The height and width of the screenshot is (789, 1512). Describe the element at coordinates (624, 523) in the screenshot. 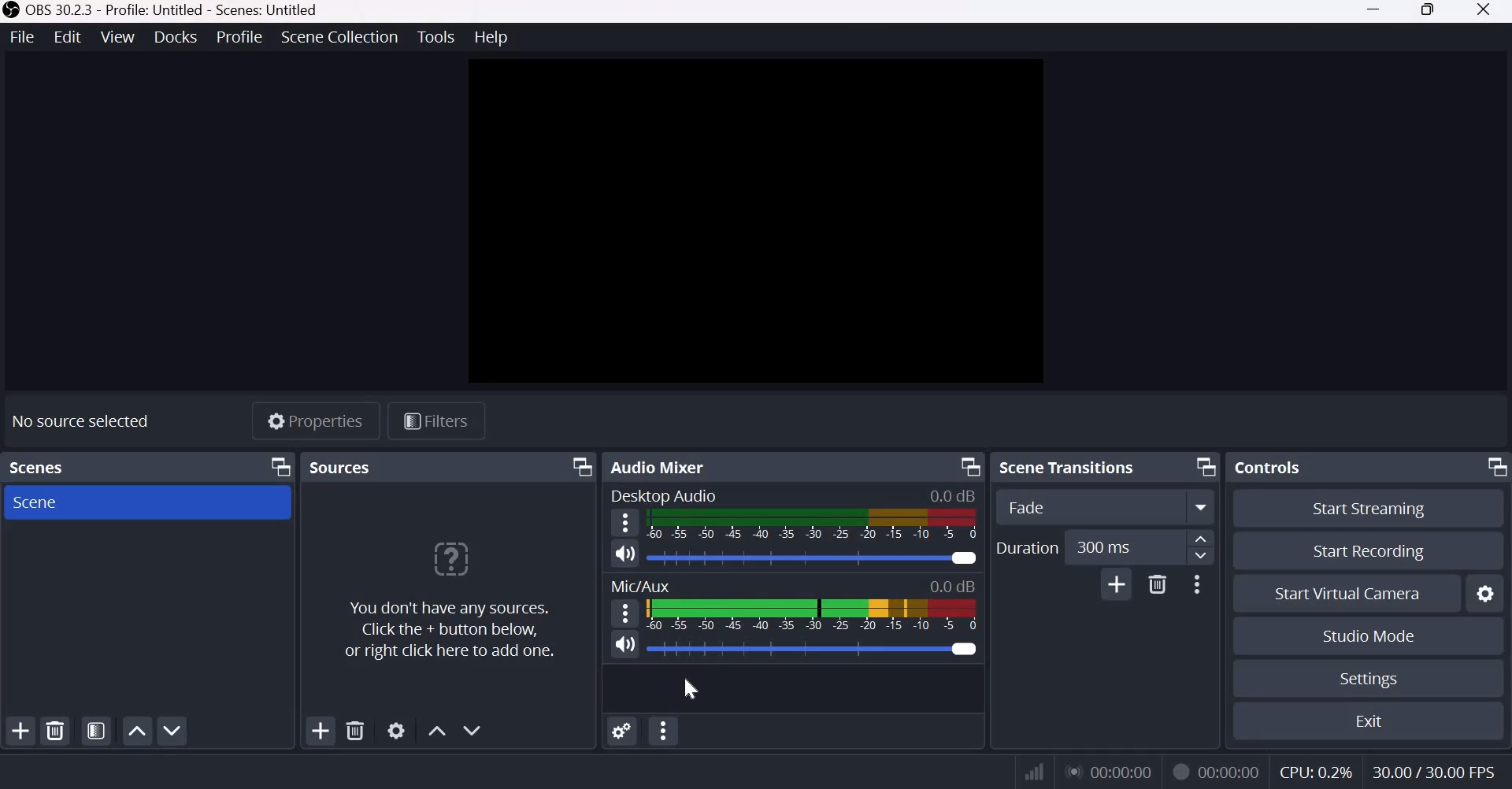

I see `hamburger menu` at that location.